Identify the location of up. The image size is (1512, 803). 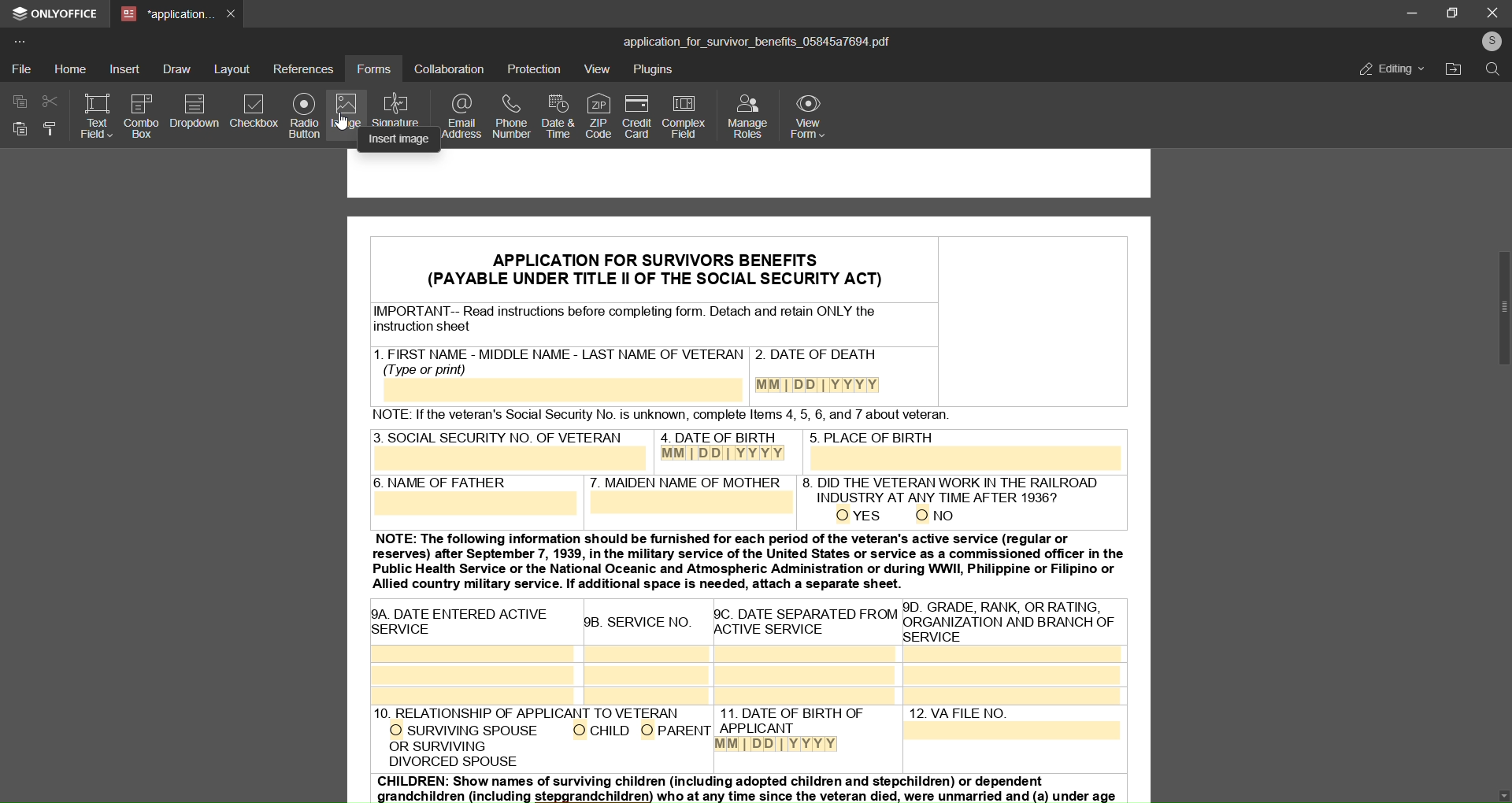
(1505, 94).